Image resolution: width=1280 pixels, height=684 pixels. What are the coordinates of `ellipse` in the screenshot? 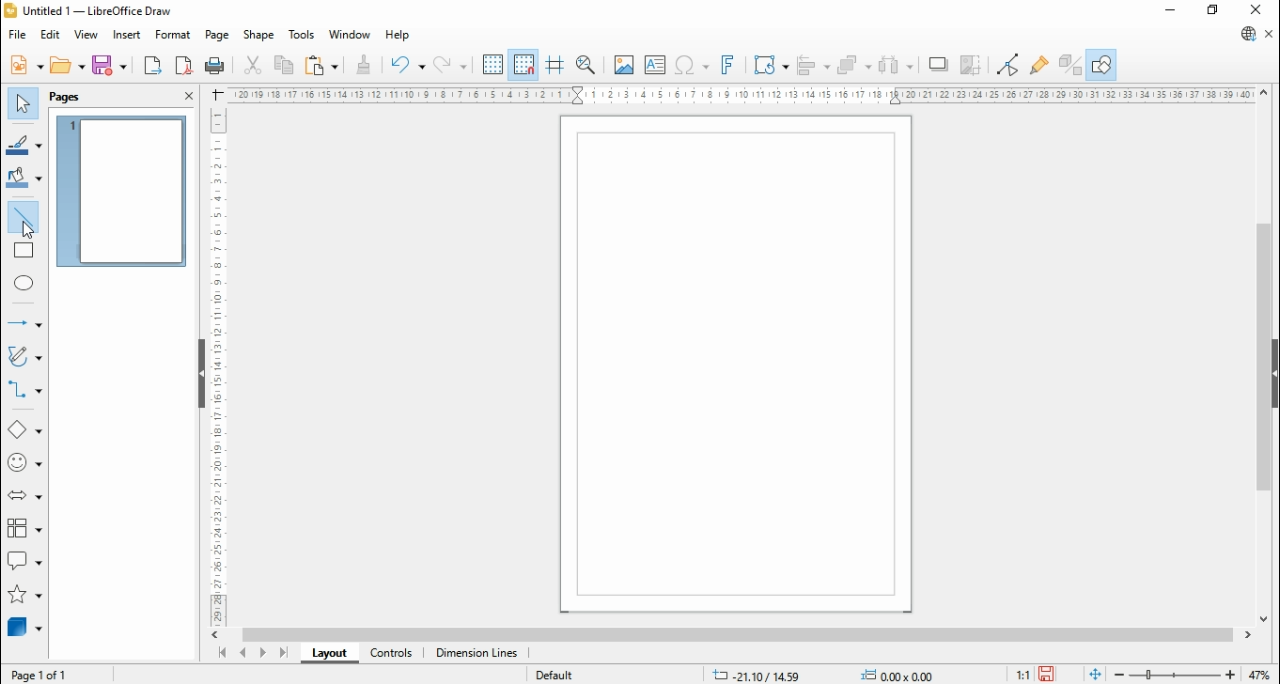 It's located at (24, 282).